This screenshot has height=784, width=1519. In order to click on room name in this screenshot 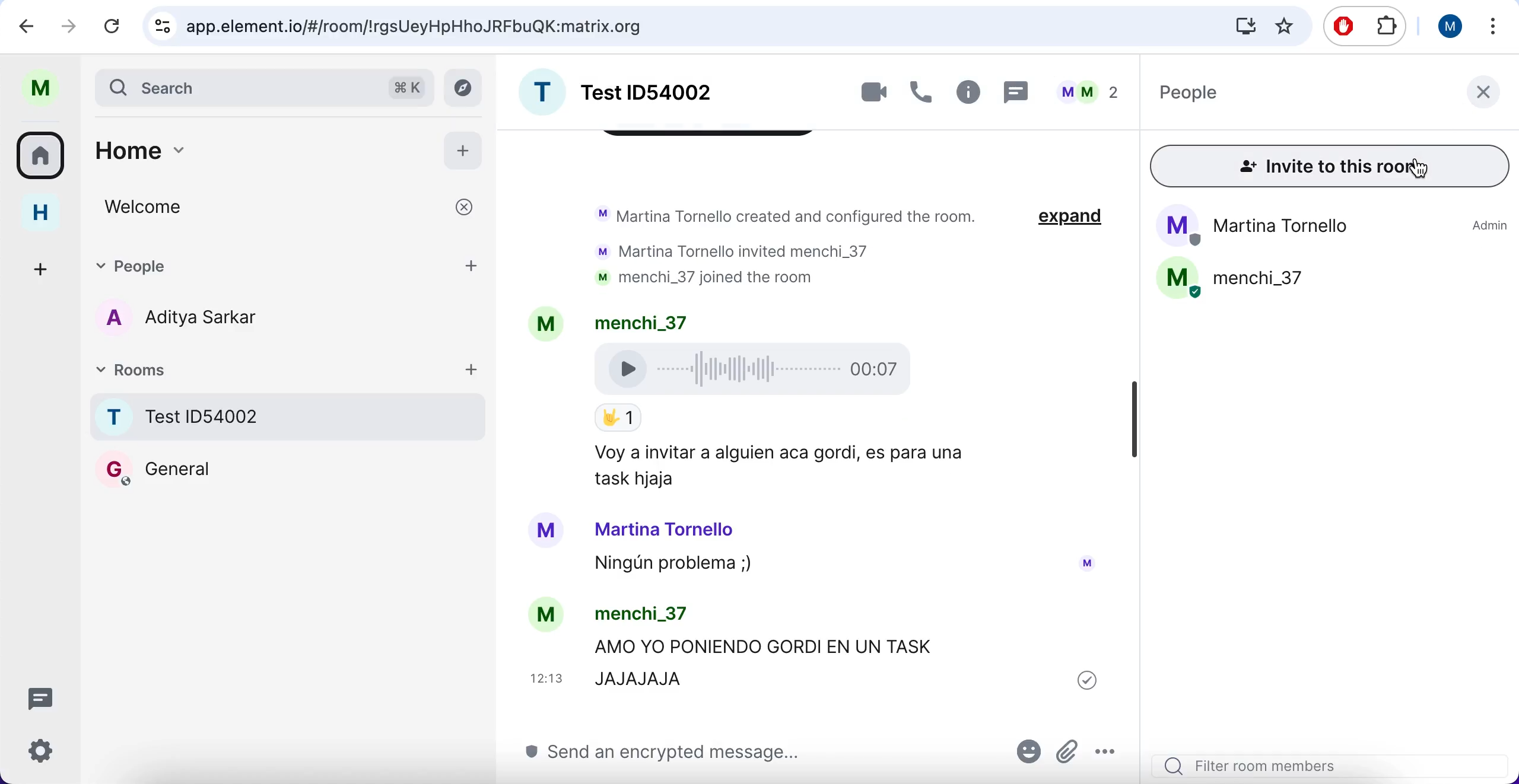, I will do `click(641, 91)`.